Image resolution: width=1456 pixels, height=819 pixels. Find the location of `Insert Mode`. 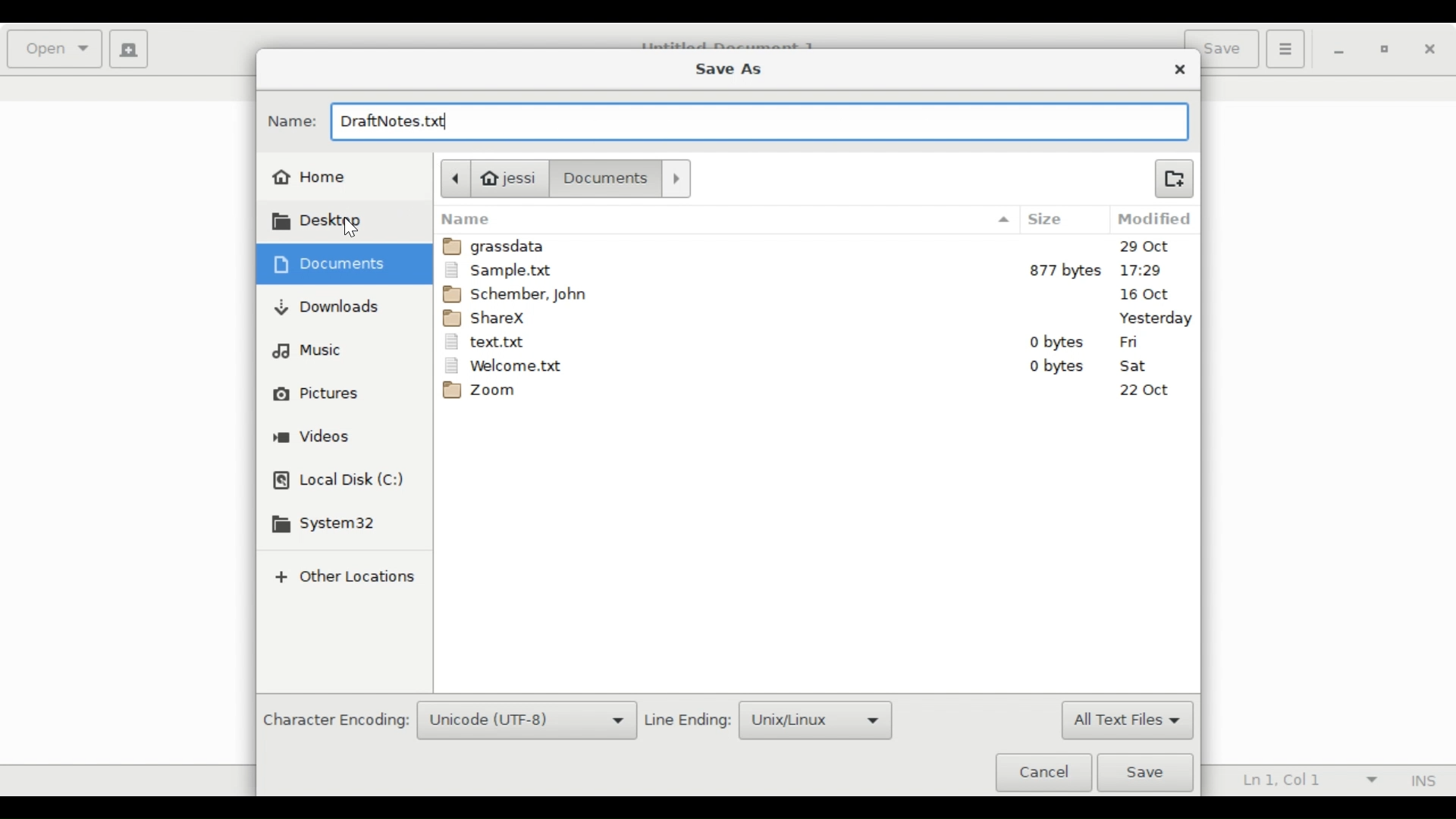

Insert Mode is located at coordinates (1420, 781).